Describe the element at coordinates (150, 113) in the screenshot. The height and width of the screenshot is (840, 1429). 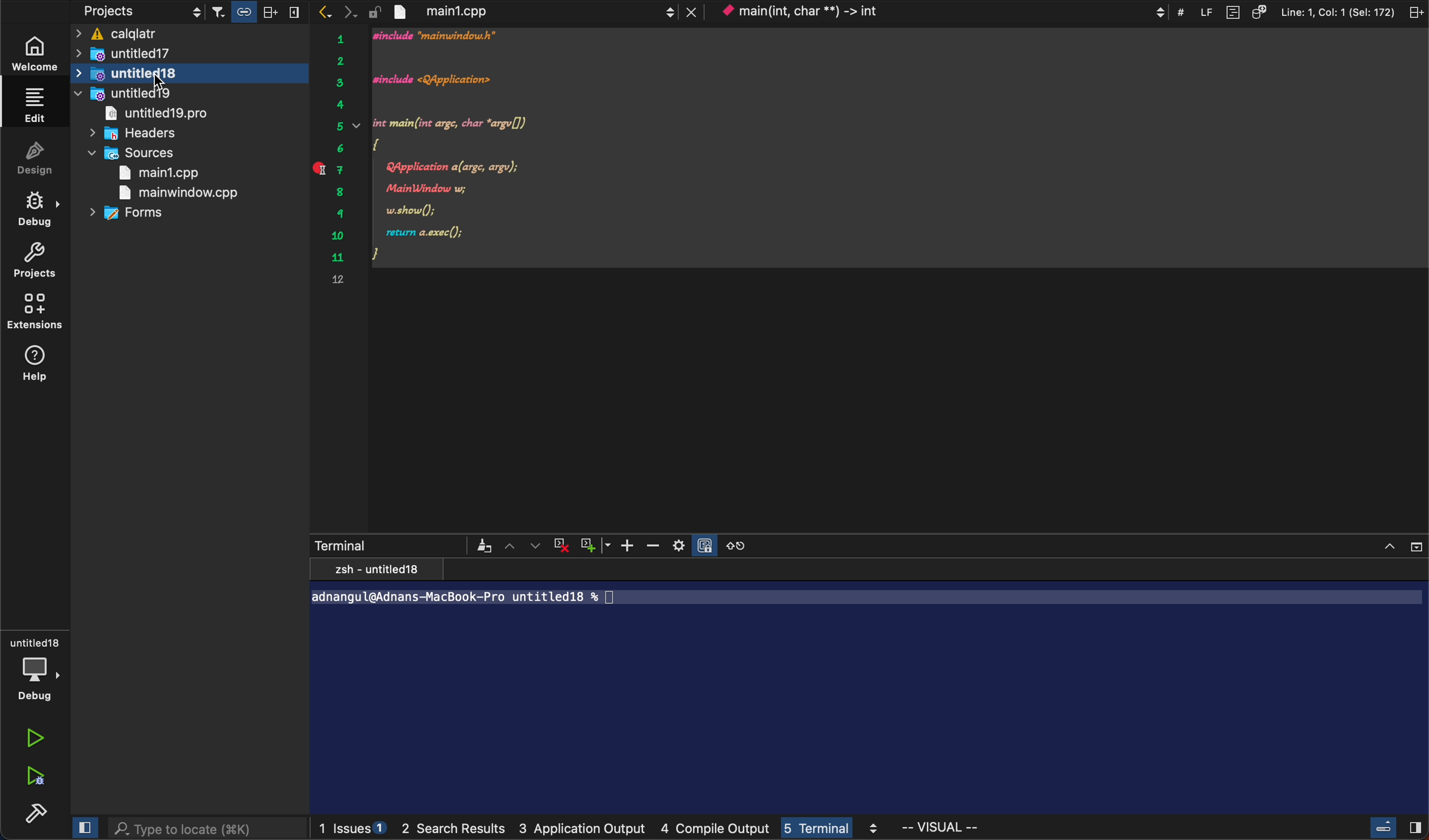
I see `untitled pro` at that location.